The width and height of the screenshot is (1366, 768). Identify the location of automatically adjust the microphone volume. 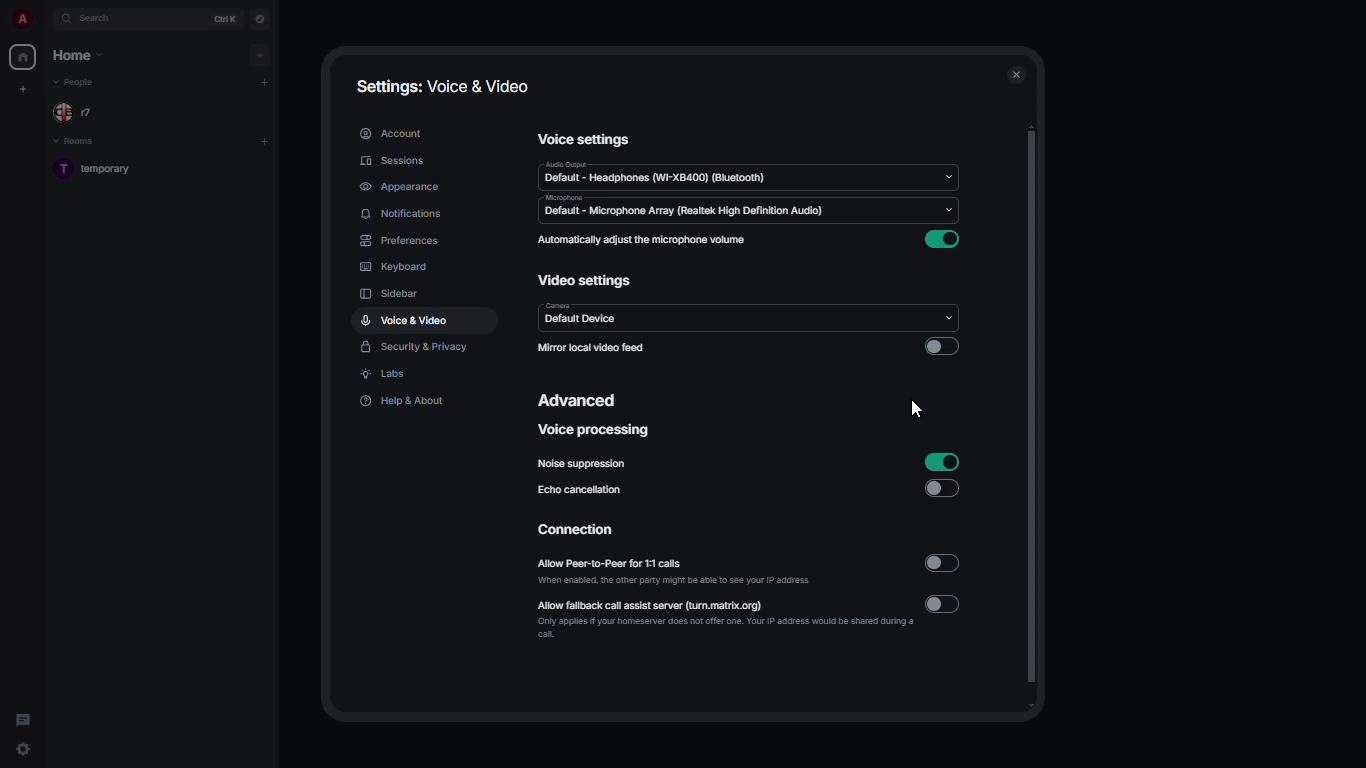
(642, 240).